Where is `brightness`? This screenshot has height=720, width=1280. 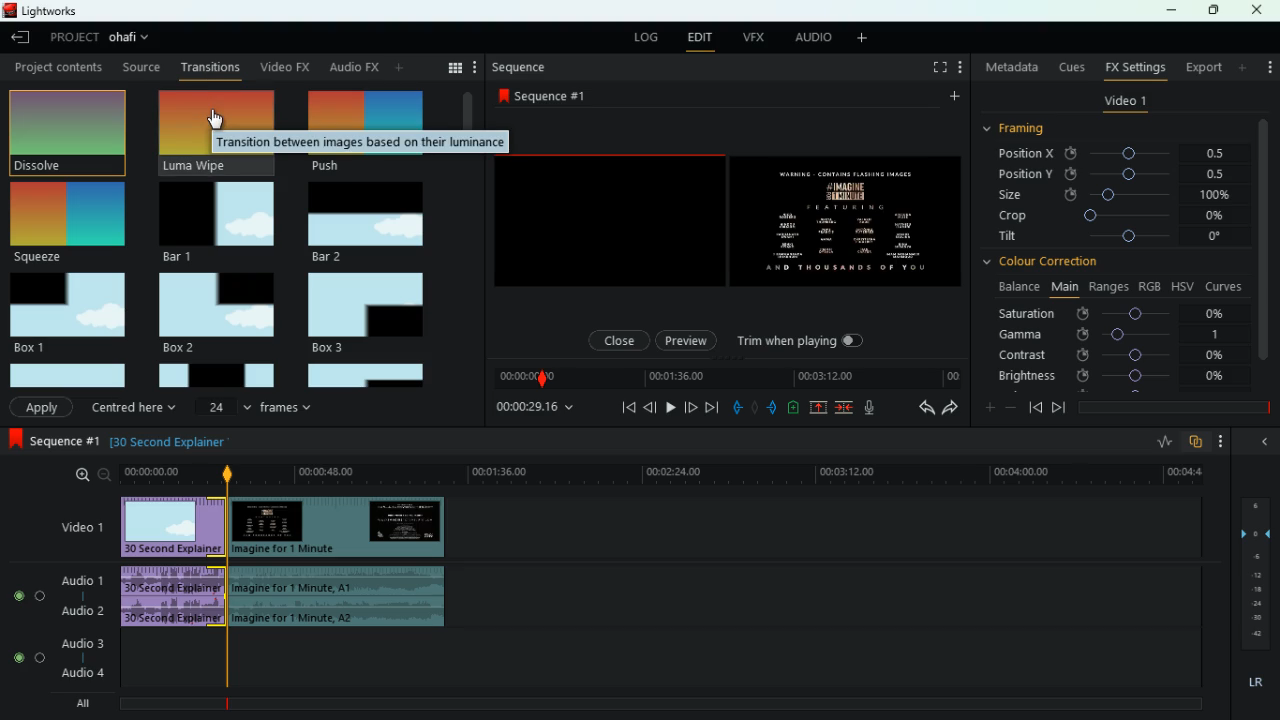
brightness is located at coordinates (1113, 377).